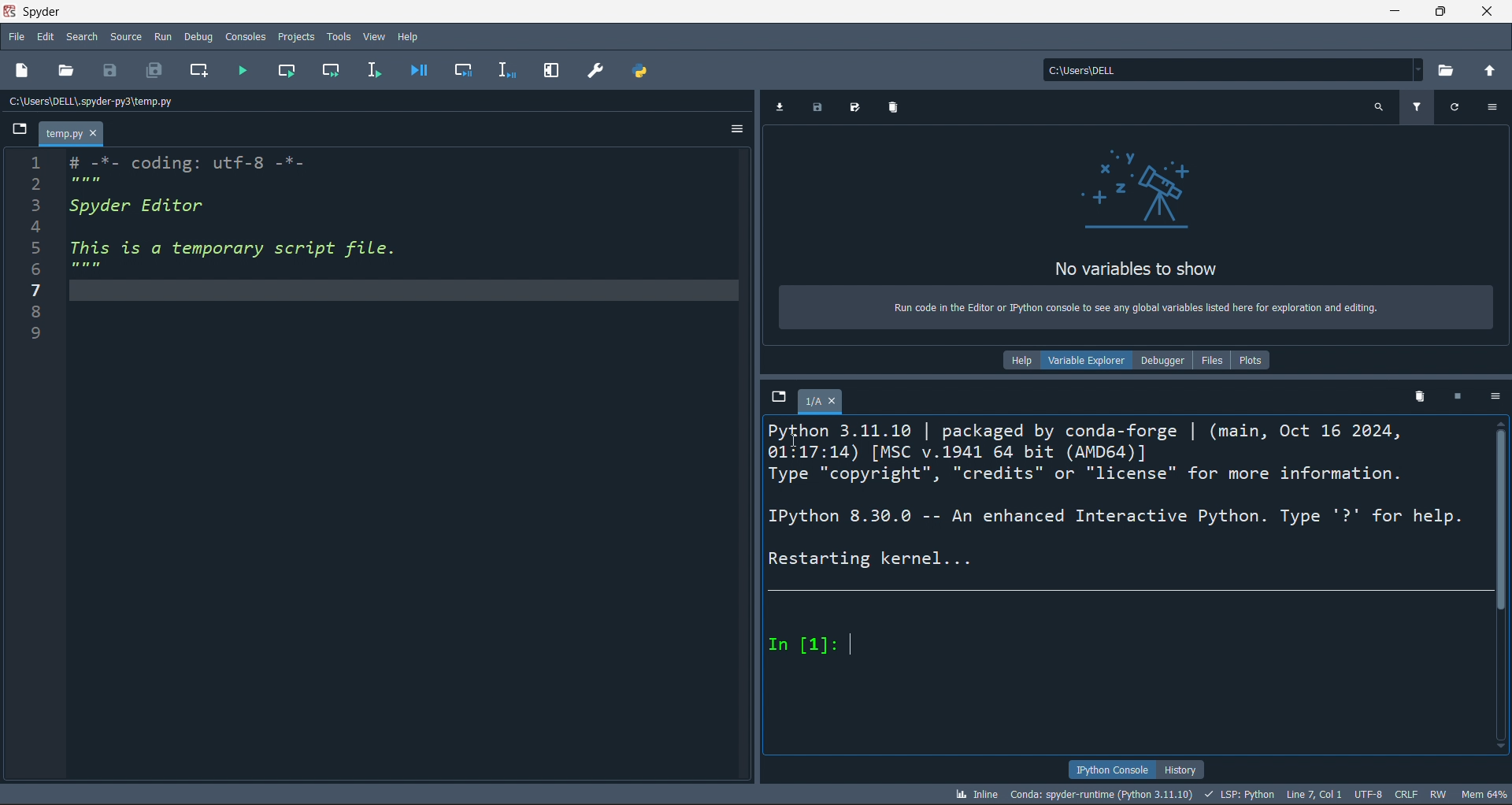 The width and height of the screenshot is (1512, 805). Describe the element at coordinates (821, 403) in the screenshot. I see `1/A ` at that location.